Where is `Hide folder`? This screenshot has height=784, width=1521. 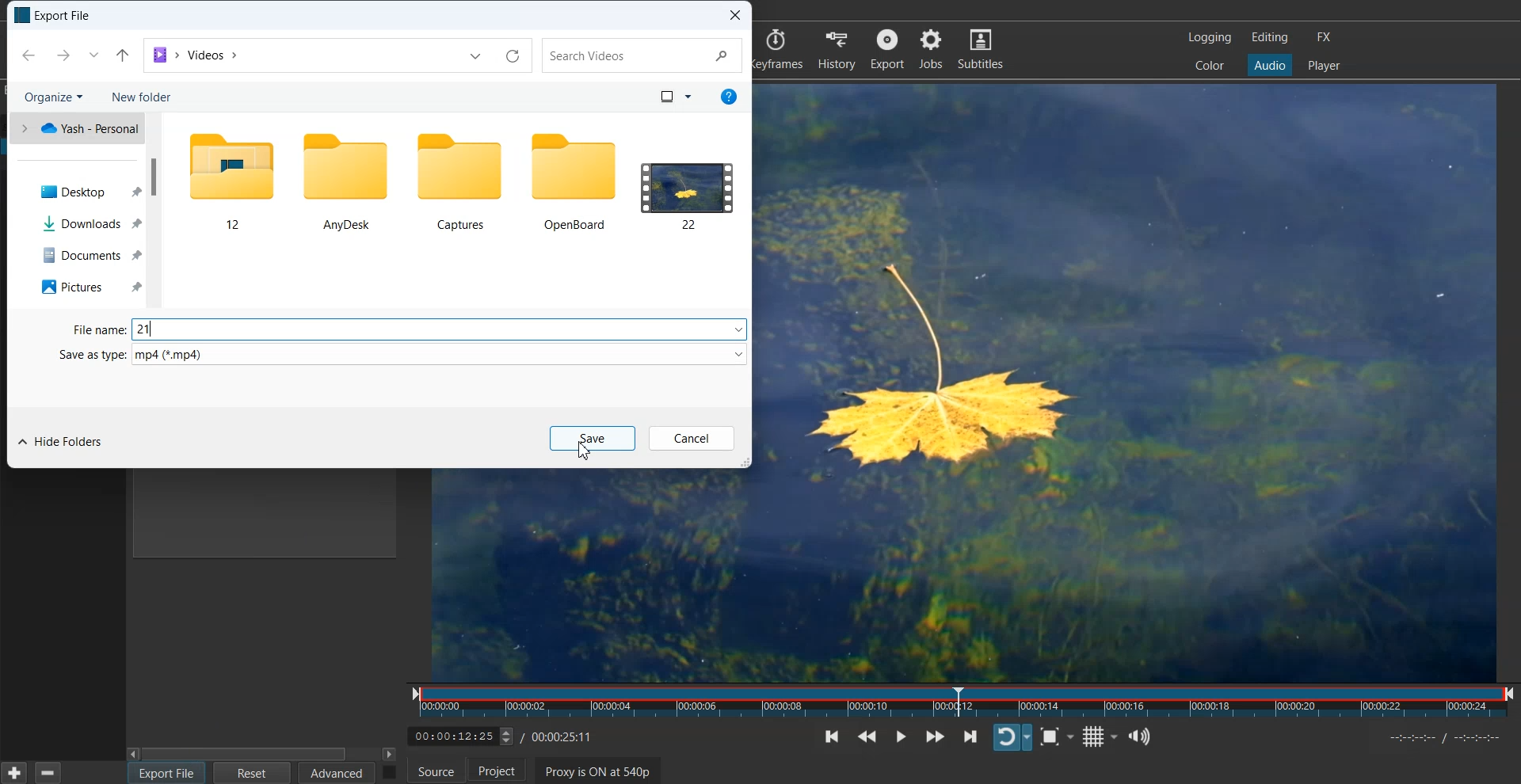
Hide folder is located at coordinates (62, 441).